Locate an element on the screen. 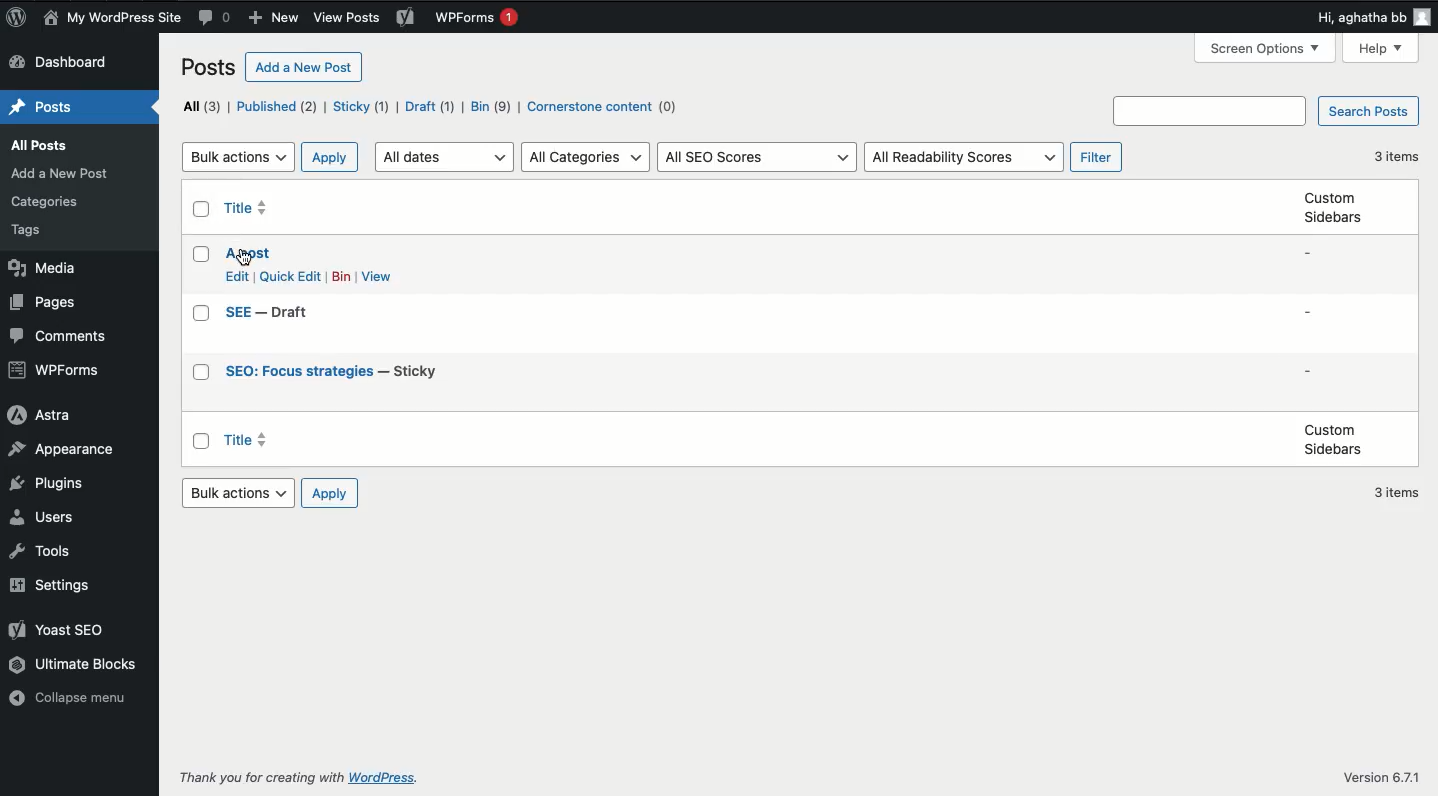  Posts is located at coordinates (39, 108).